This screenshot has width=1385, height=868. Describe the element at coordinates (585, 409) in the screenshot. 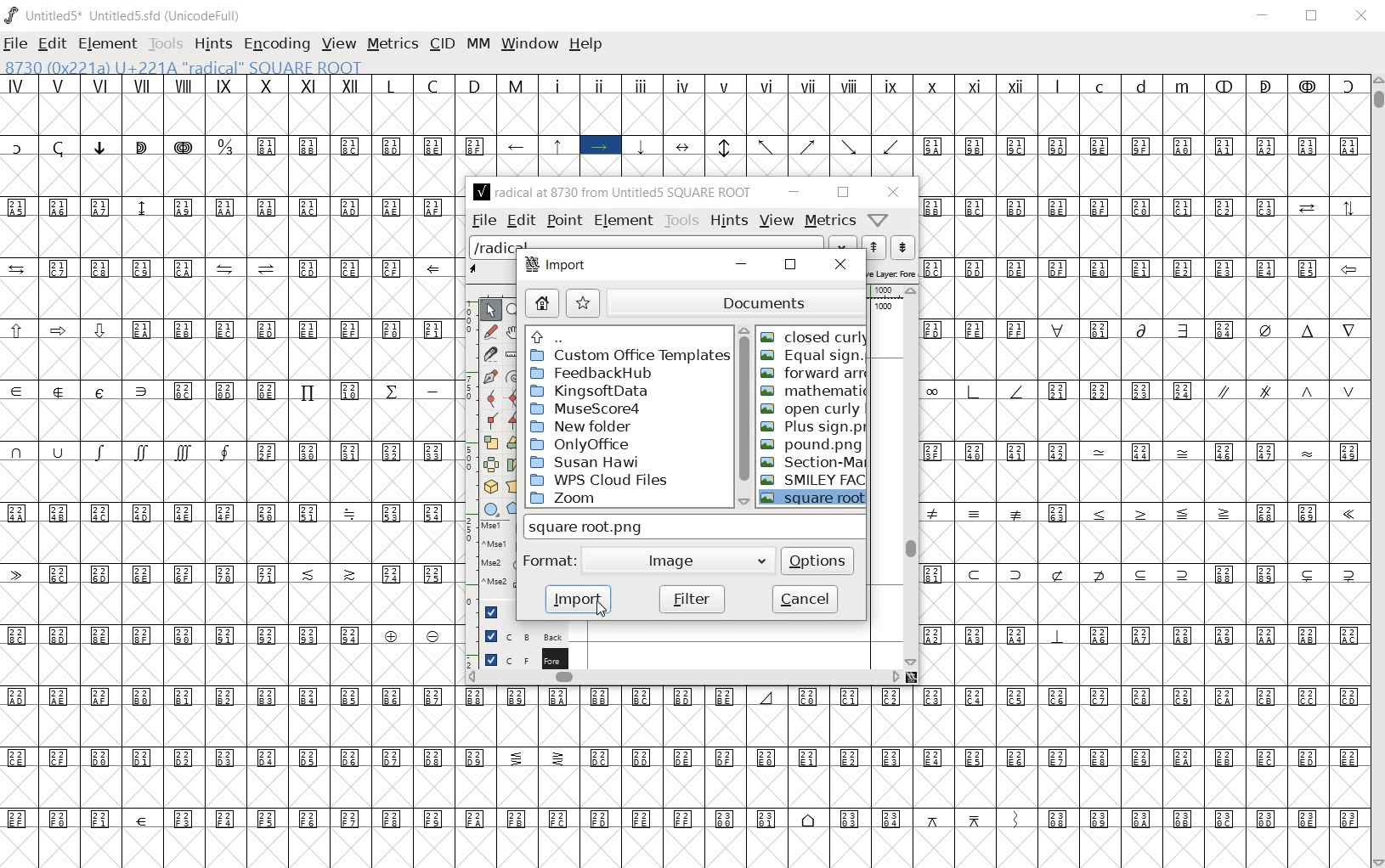

I see `MuseScore4` at that location.